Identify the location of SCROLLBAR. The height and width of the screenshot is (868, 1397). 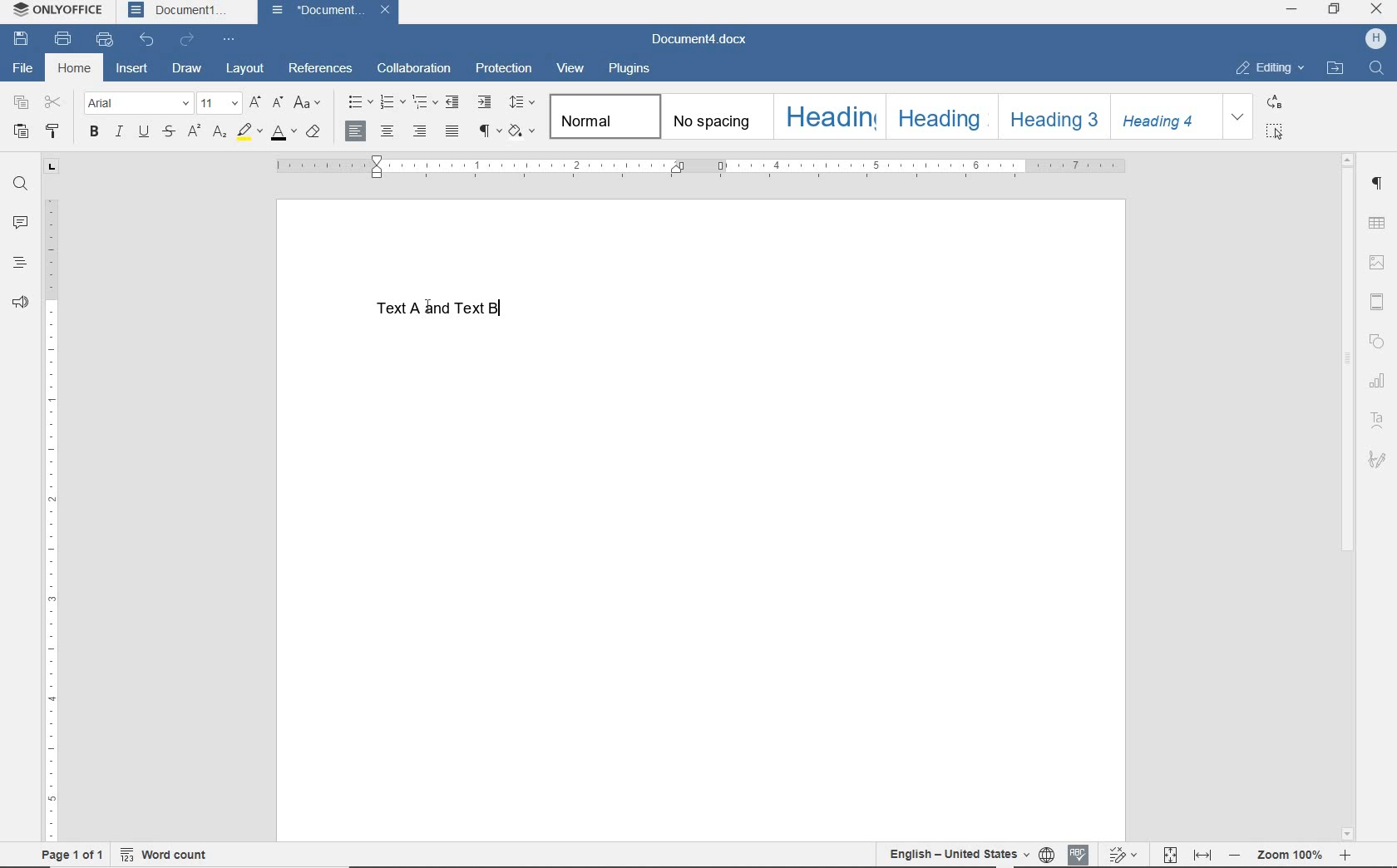
(1345, 495).